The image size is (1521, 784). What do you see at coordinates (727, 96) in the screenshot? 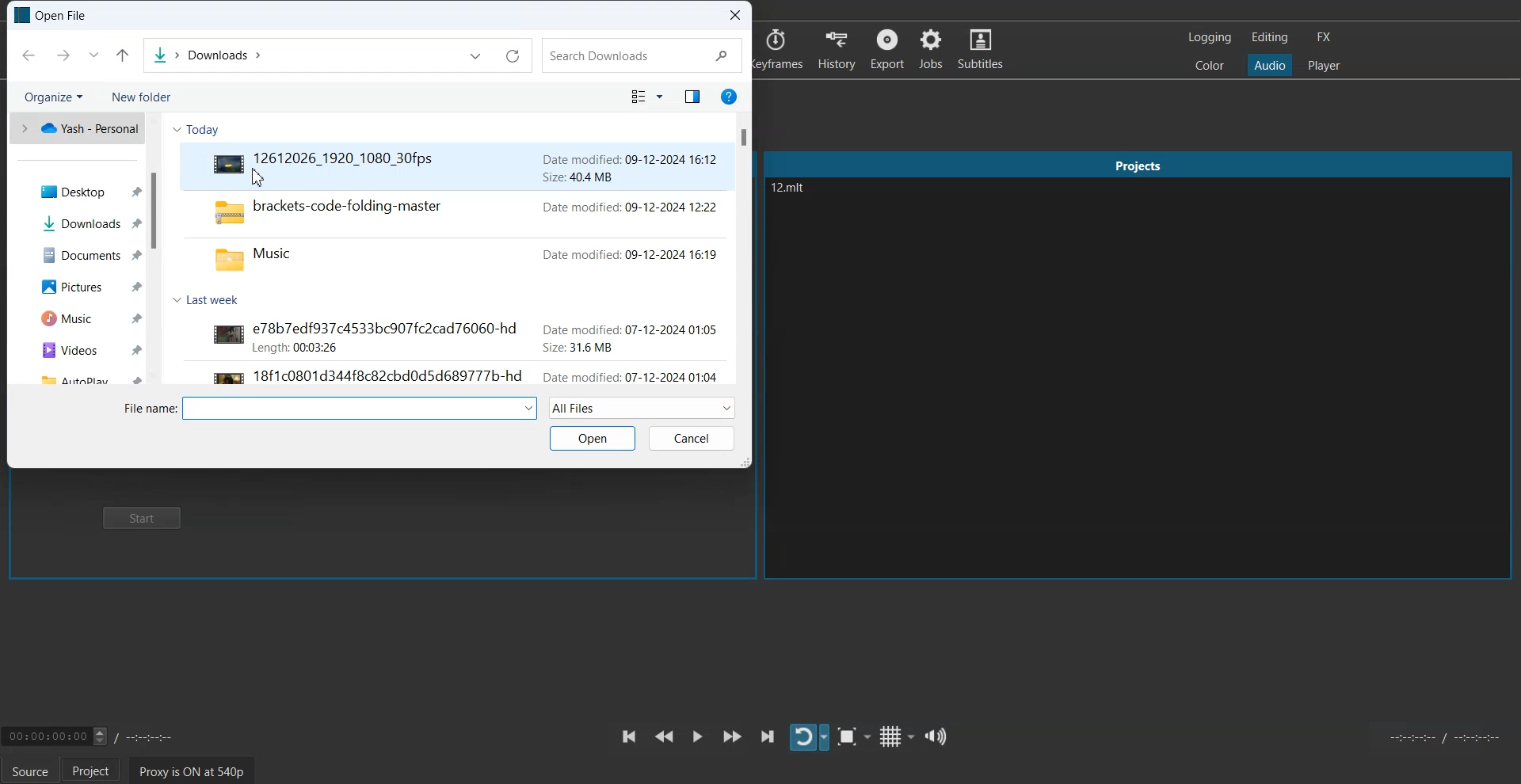
I see `Help` at bounding box center [727, 96].